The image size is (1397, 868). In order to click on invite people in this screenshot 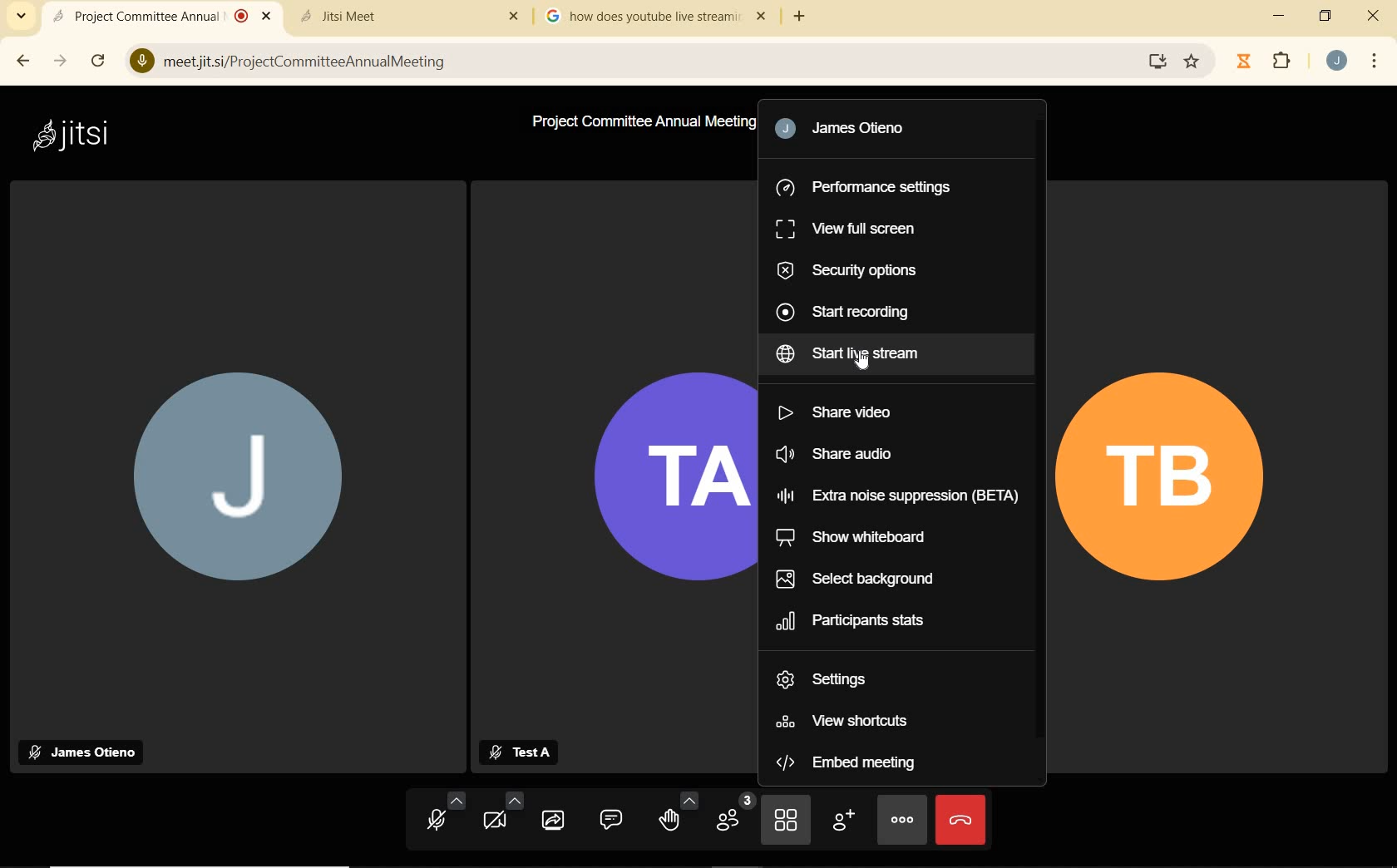, I will do `click(842, 820)`.